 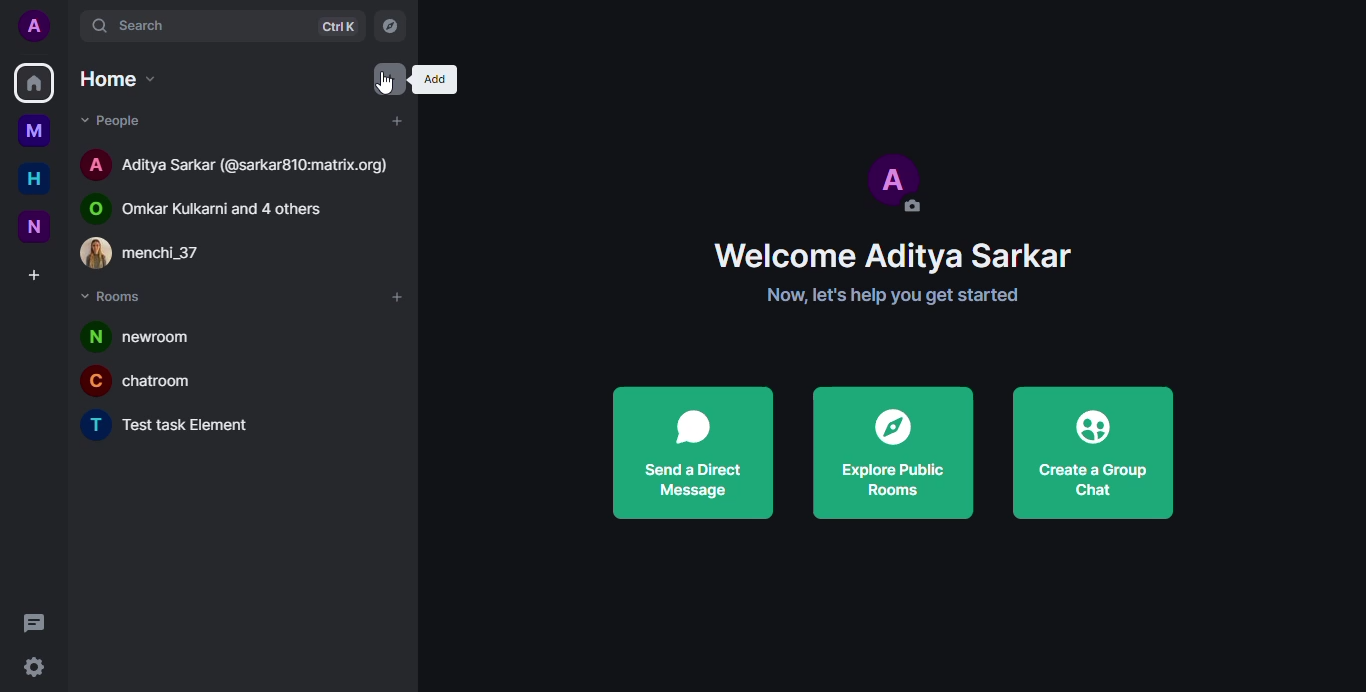 What do you see at coordinates (215, 205) in the screenshot?
I see `public room` at bounding box center [215, 205].